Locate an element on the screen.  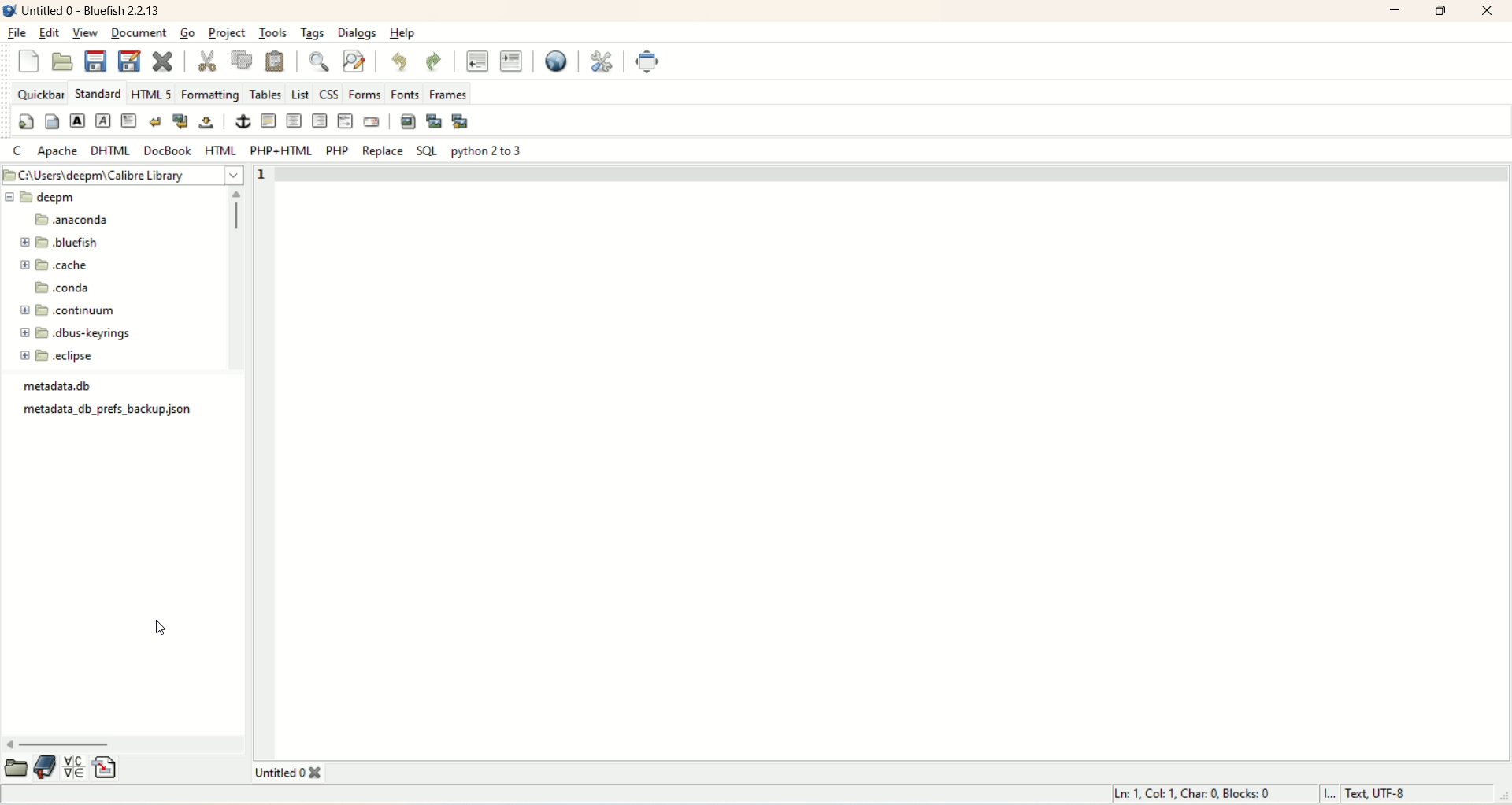
non breaking space is located at coordinates (207, 124).